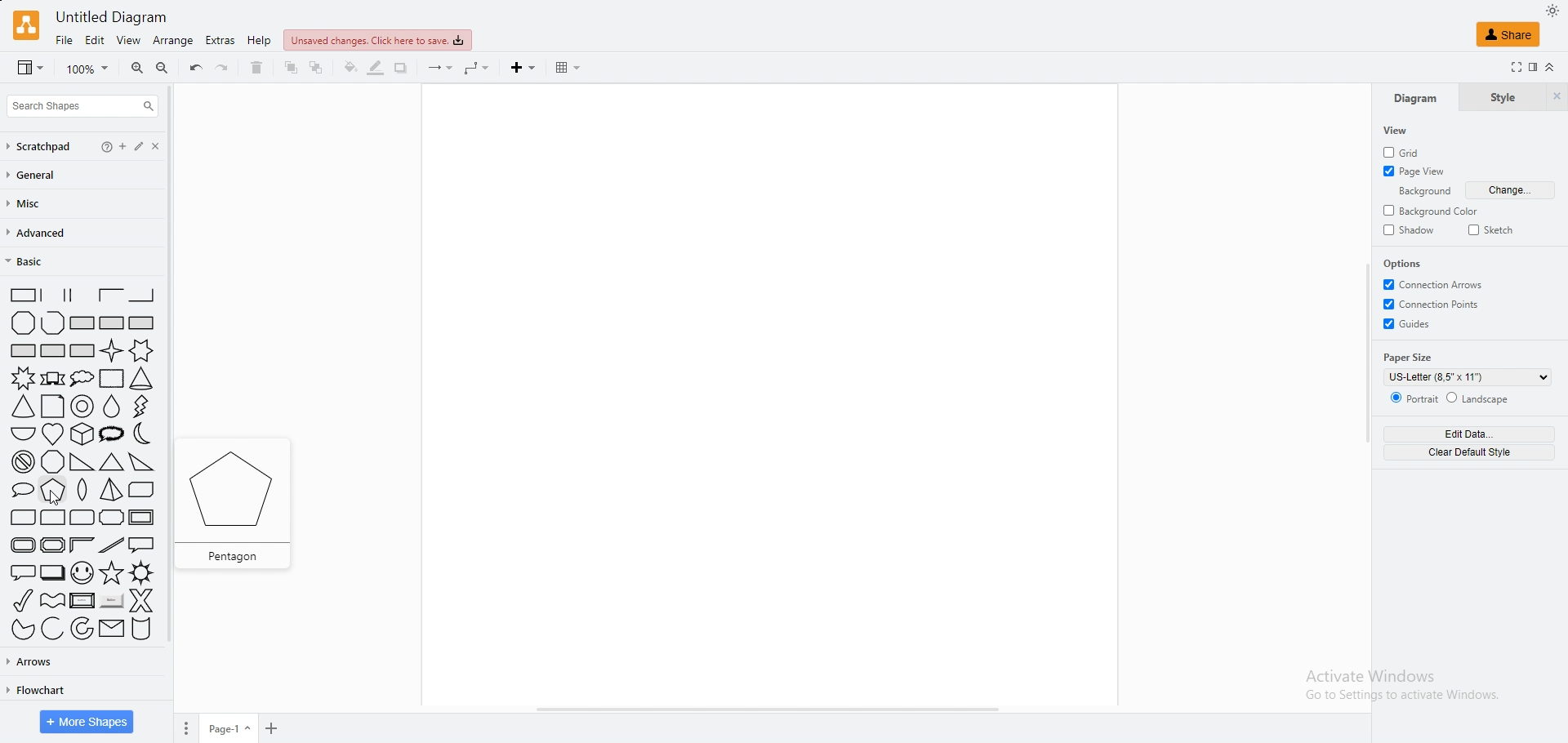 The width and height of the screenshot is (1568, 743). What do you see at coordinates (764, 394) in the screenshot?
I see `canvas` at bounding box center [764, 394].